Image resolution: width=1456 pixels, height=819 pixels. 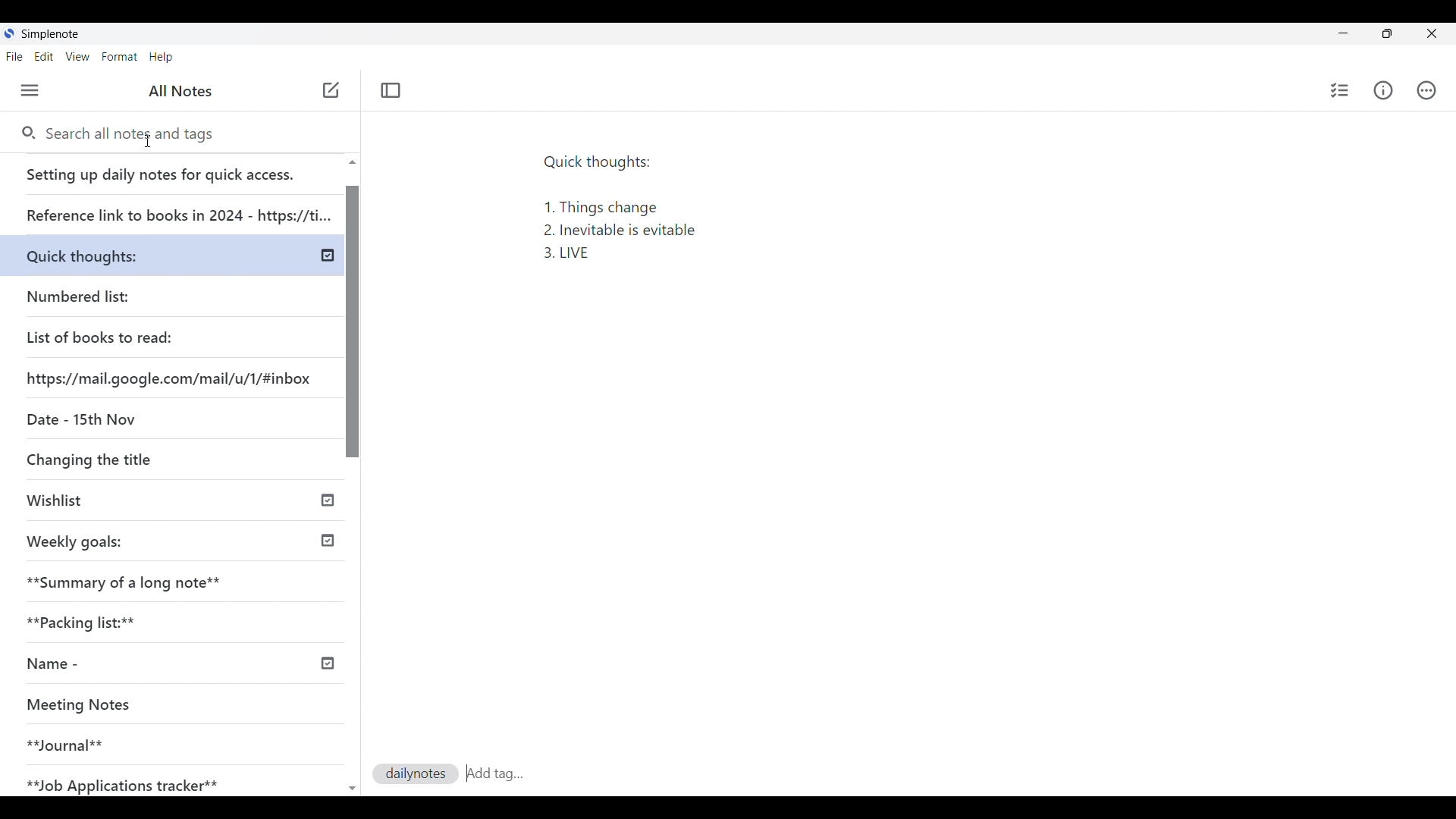 What do you see at coordinates (121, 293) in the screenshot?
I see `Numbered list` at bounding box center [121, 293].